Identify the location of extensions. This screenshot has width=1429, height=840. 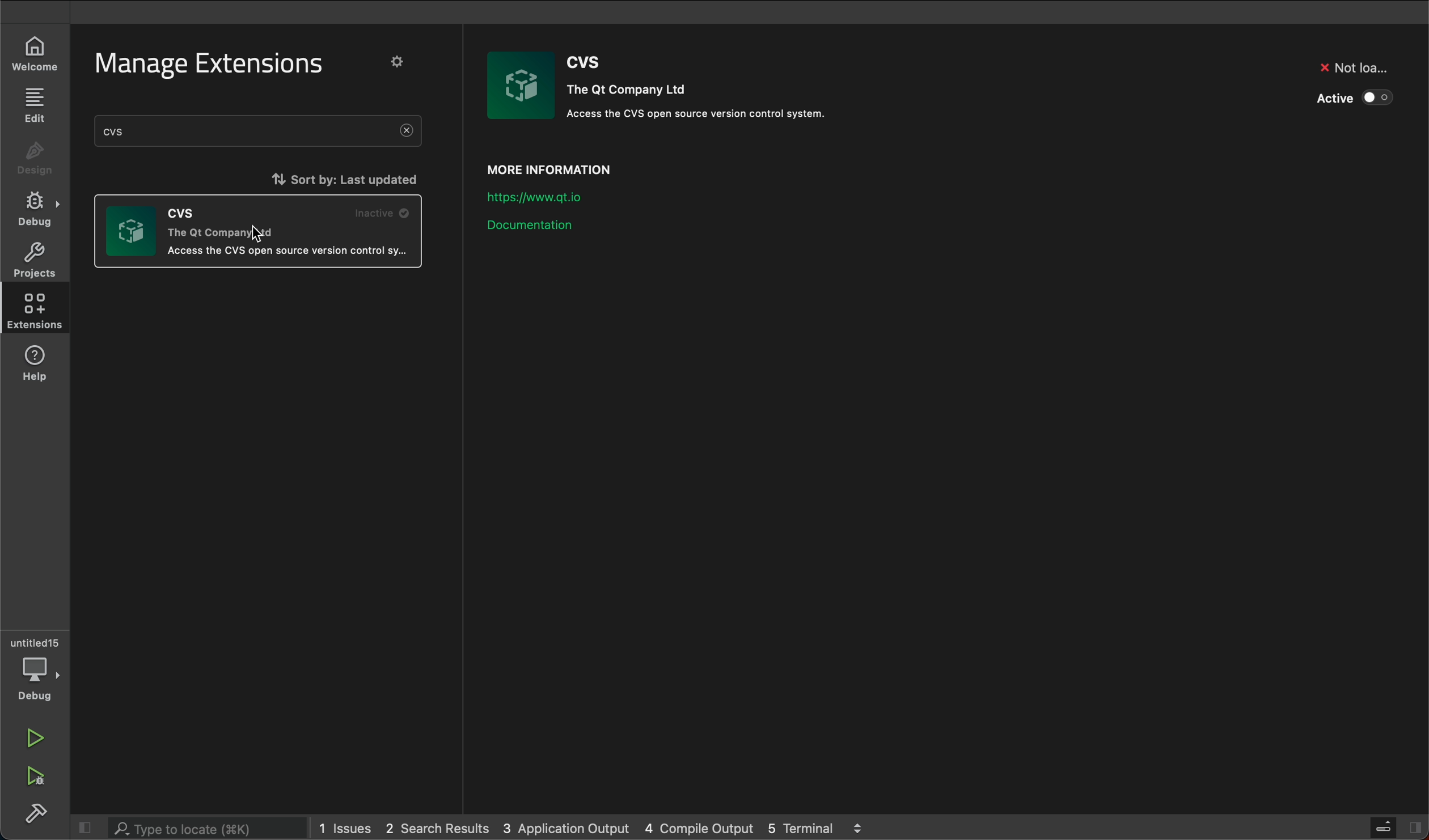
(32, 310).